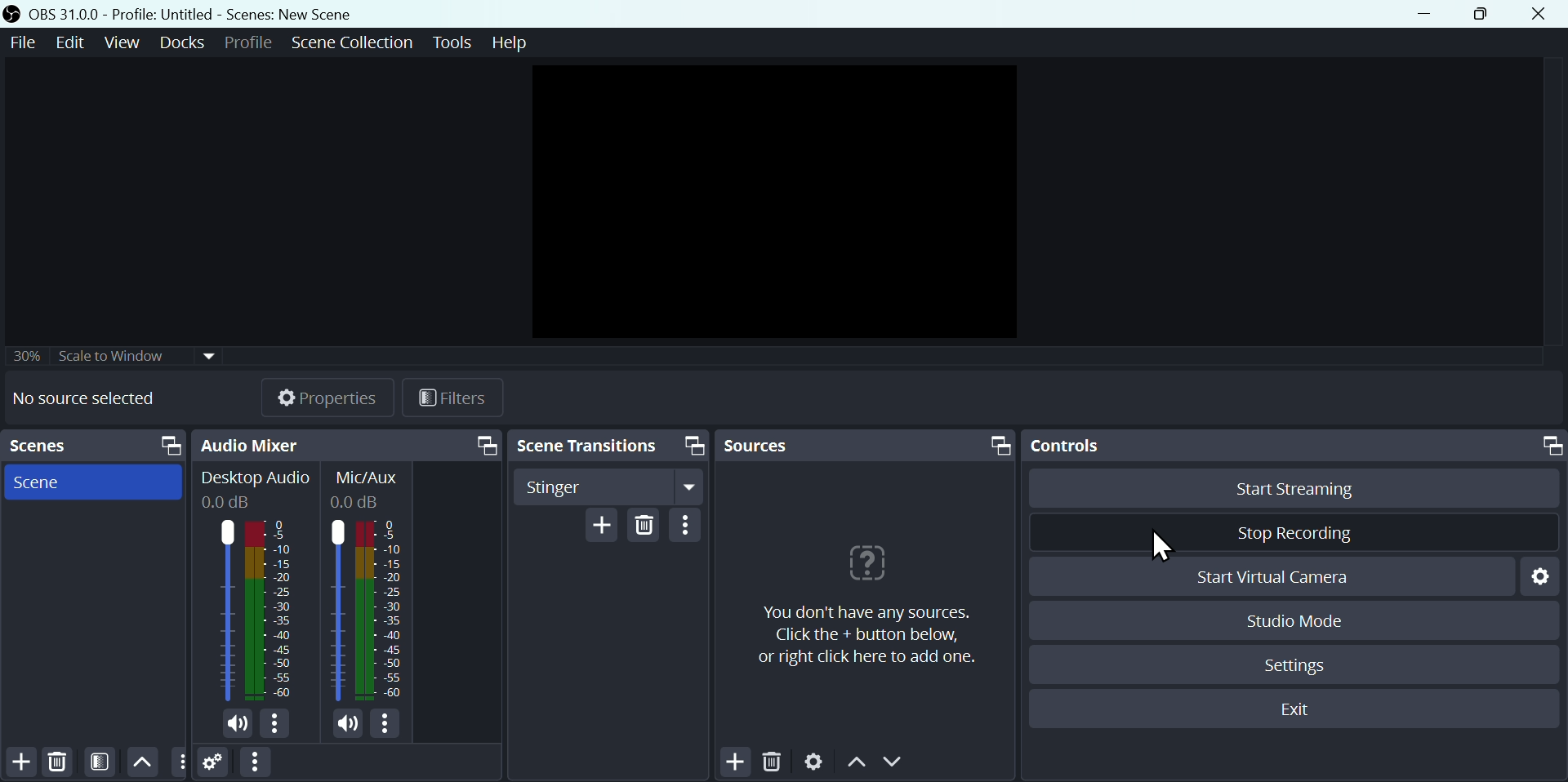 This screenshot has height=782, width=1568. I want to click on Tools, so click(452, 43).